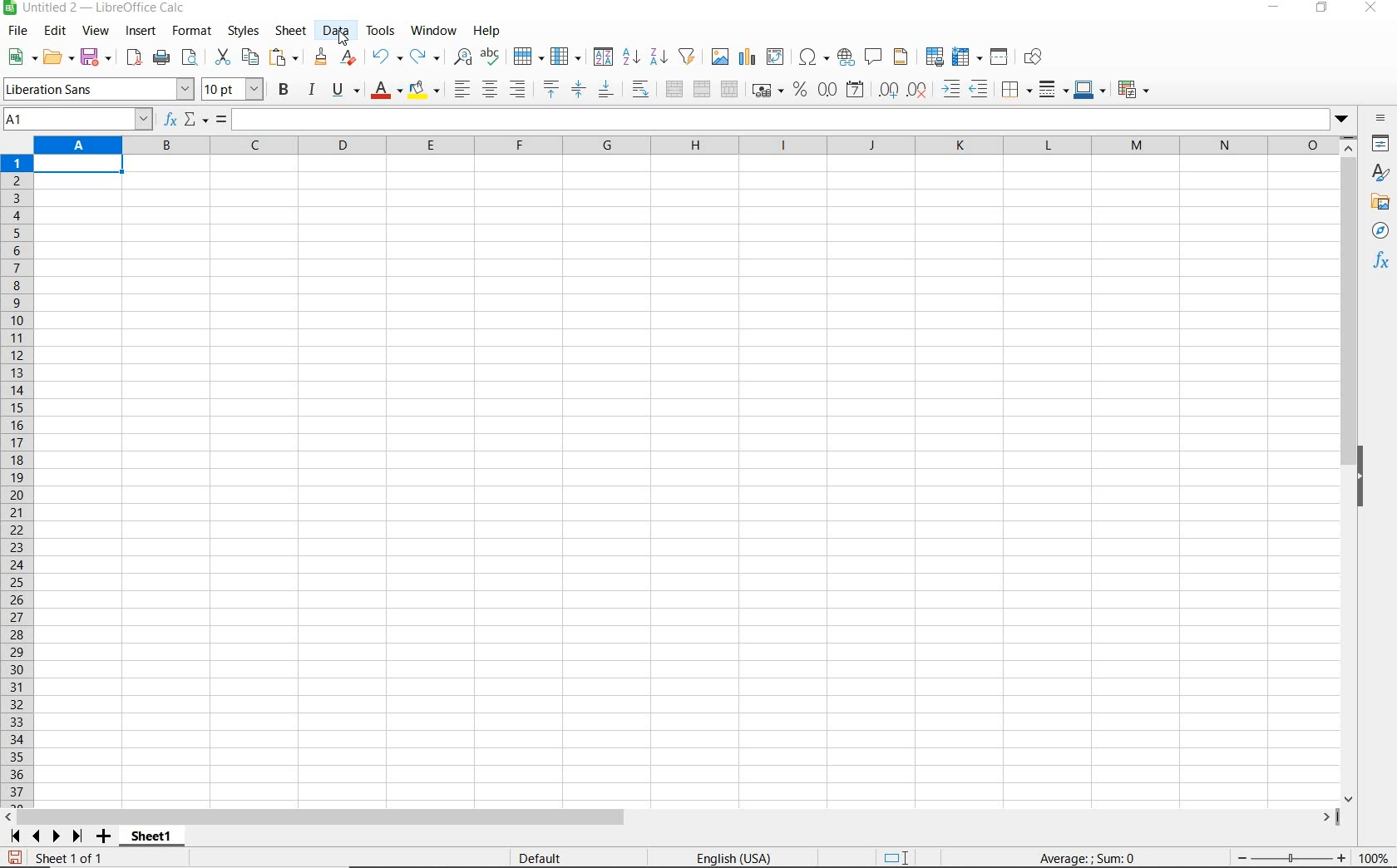  What do you see at coordinates (97, 57) in the screenshot?
I see `save` at bounding box center [97, 57].